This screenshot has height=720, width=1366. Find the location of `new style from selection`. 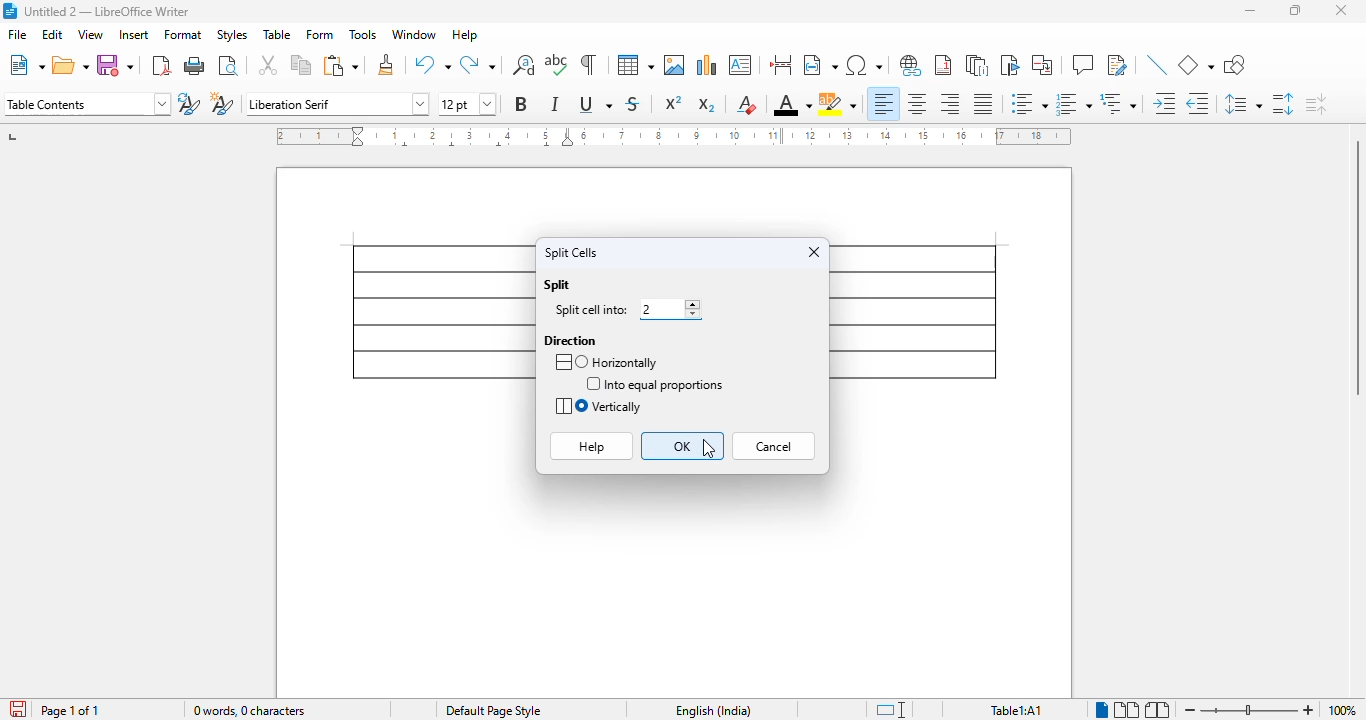

new style from selection is located at coordinates (222, 103).